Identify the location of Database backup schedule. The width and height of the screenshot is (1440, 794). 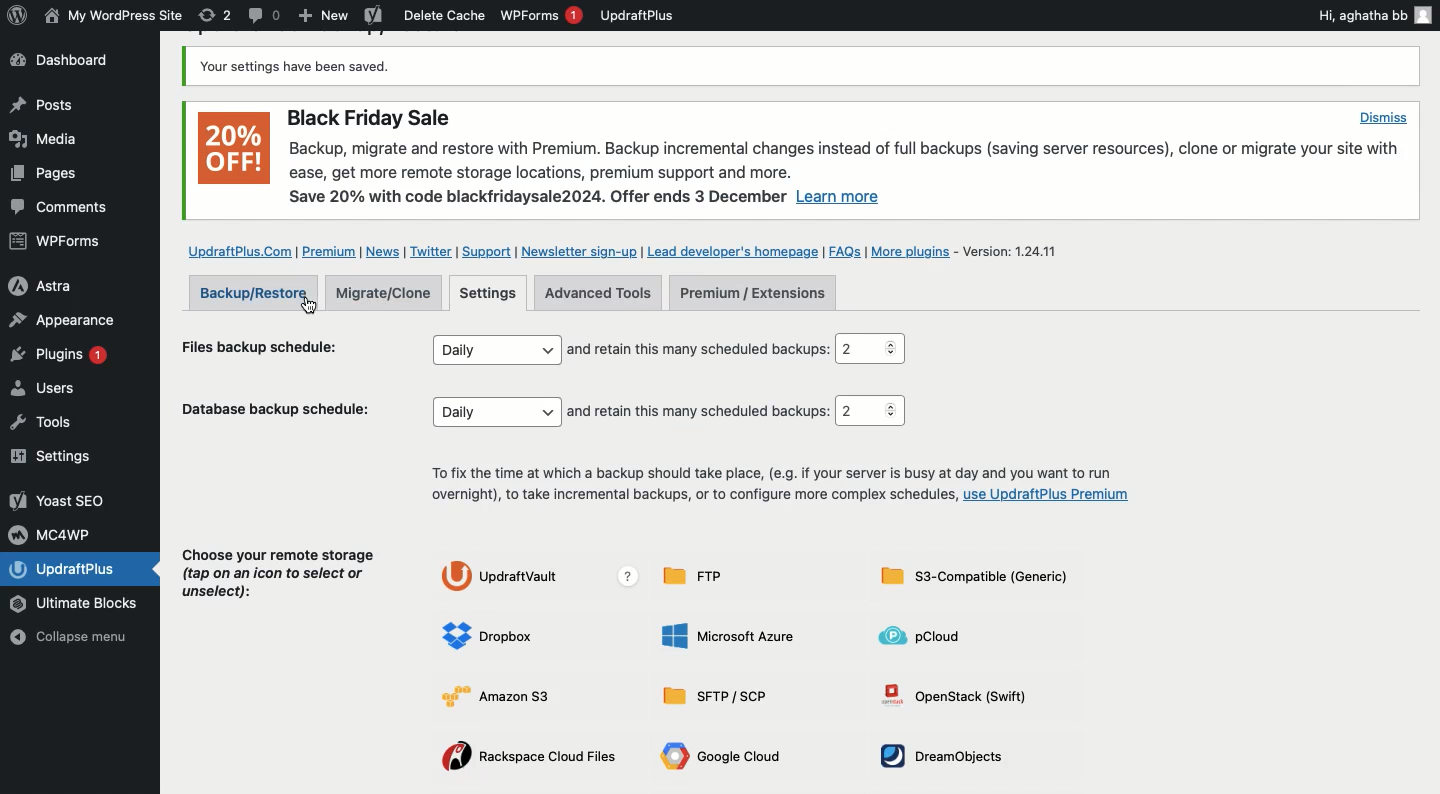
(276, 406).